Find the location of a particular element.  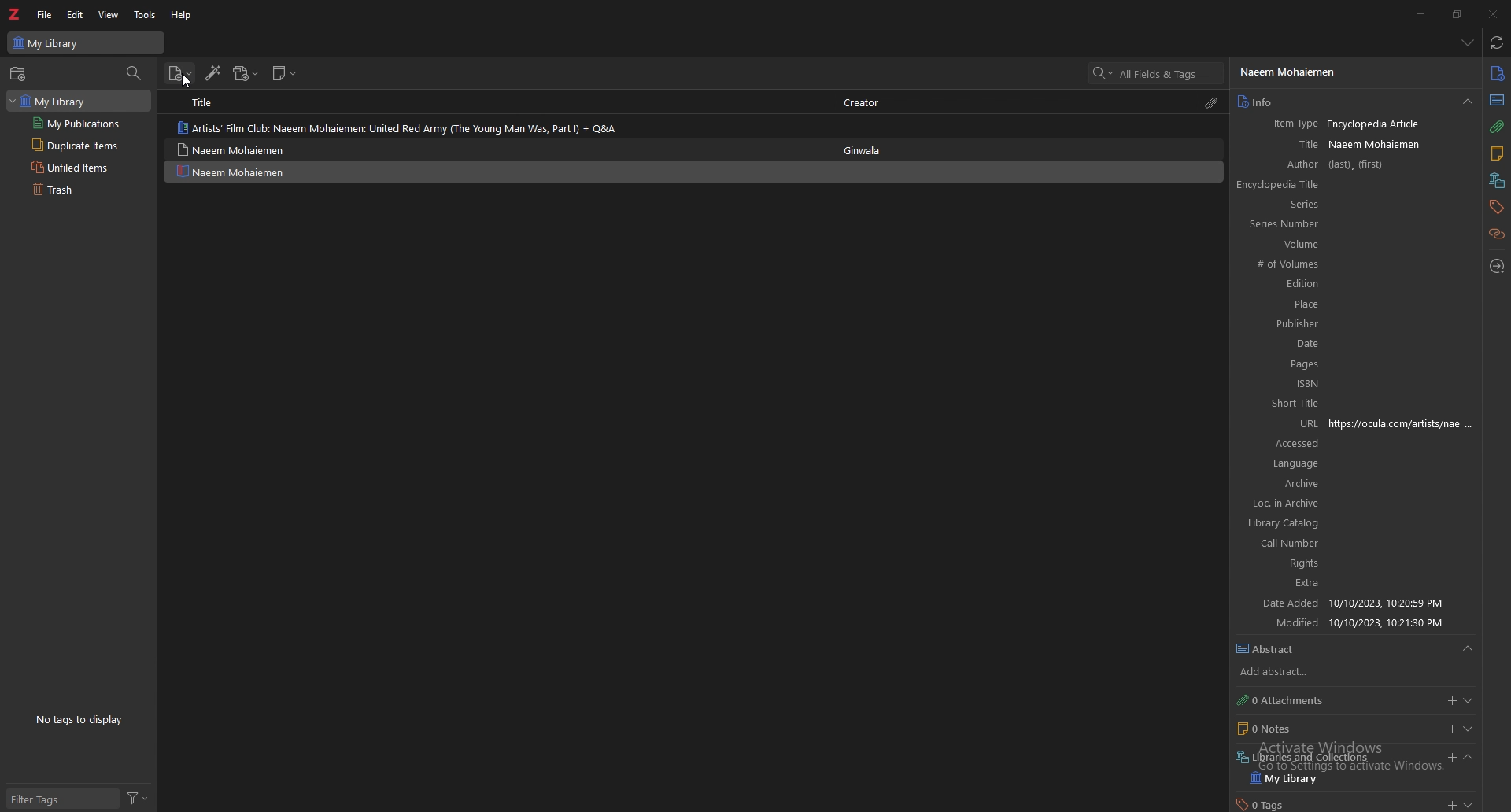

my library is located at coordinates (86, 42).